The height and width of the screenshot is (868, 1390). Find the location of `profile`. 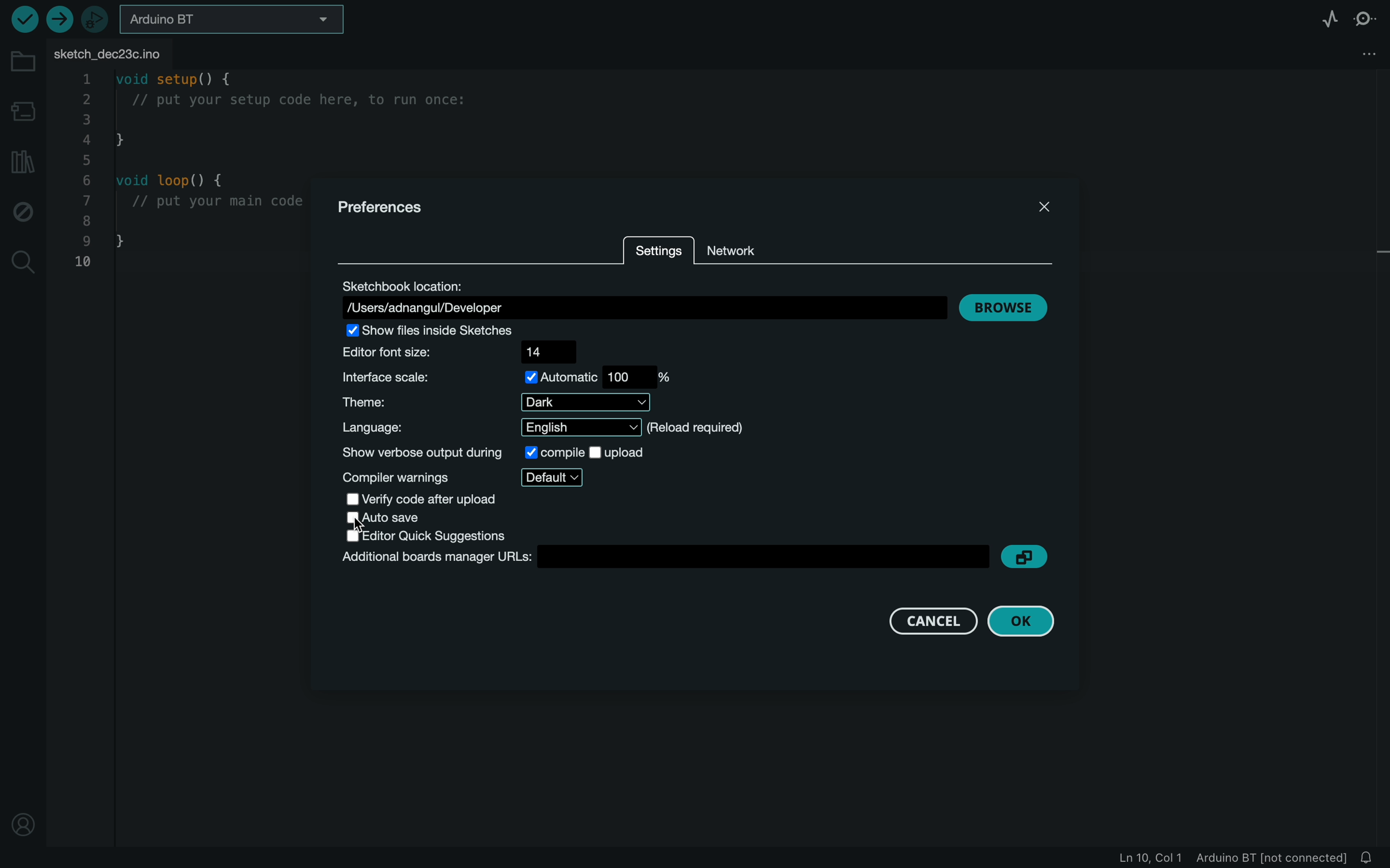

profile is located at coordinates (22, 821).